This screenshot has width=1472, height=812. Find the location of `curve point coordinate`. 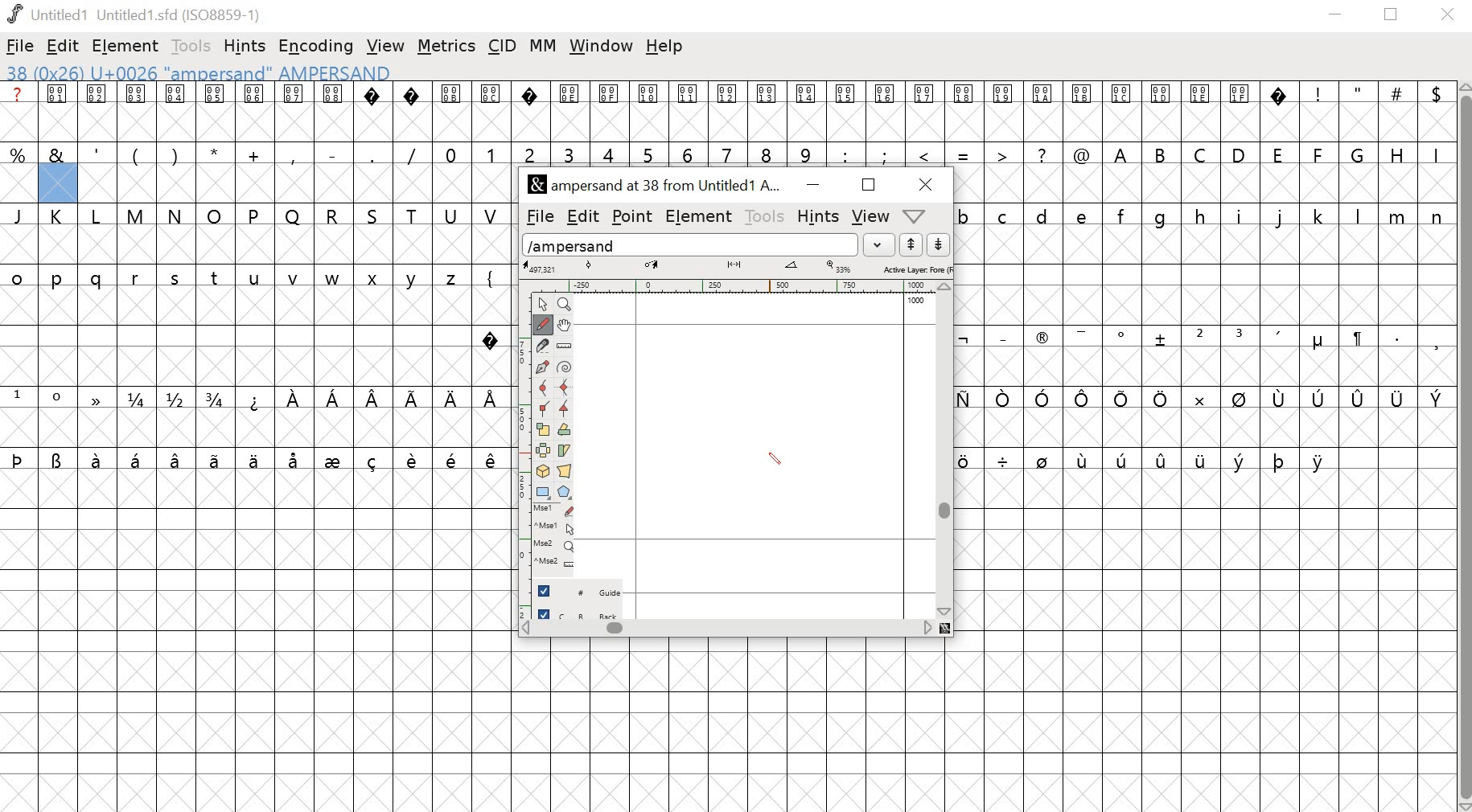

curve point coordinate is located at coordinates (589, 266).